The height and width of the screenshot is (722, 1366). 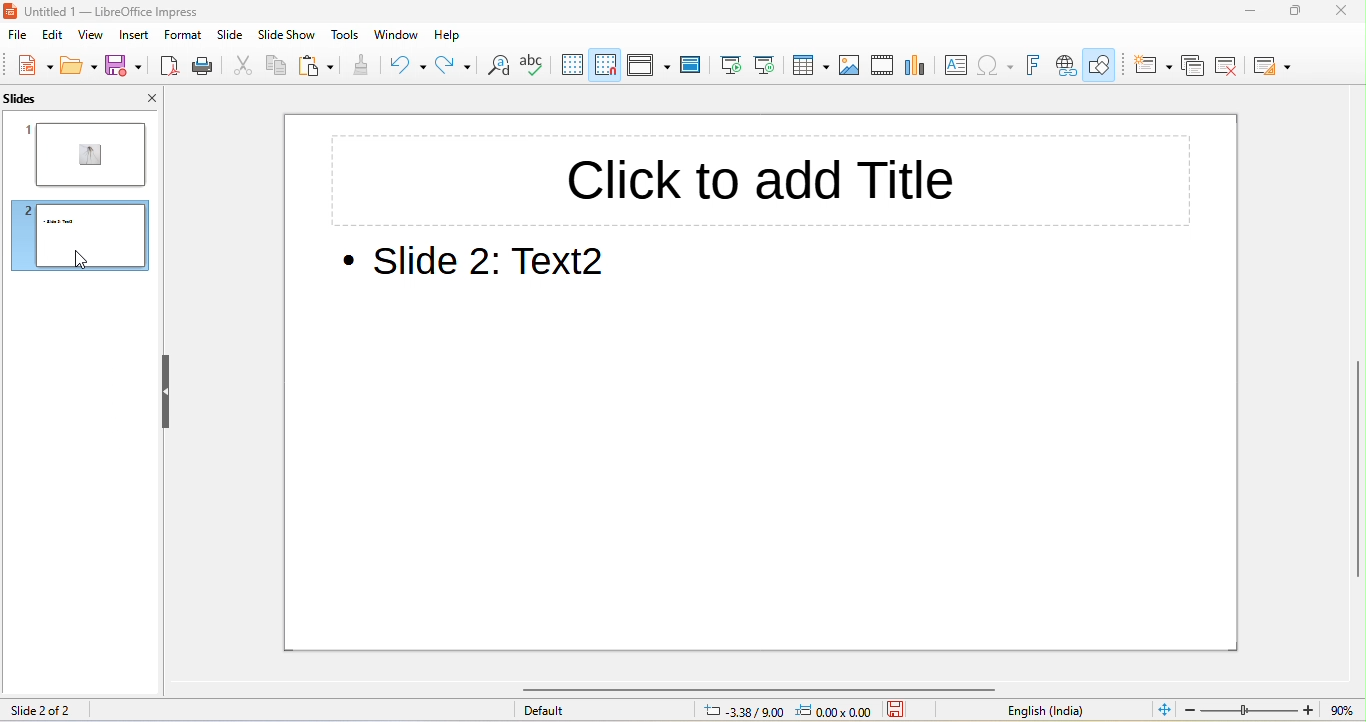 I want to click on save, so click(x=123, y=68).